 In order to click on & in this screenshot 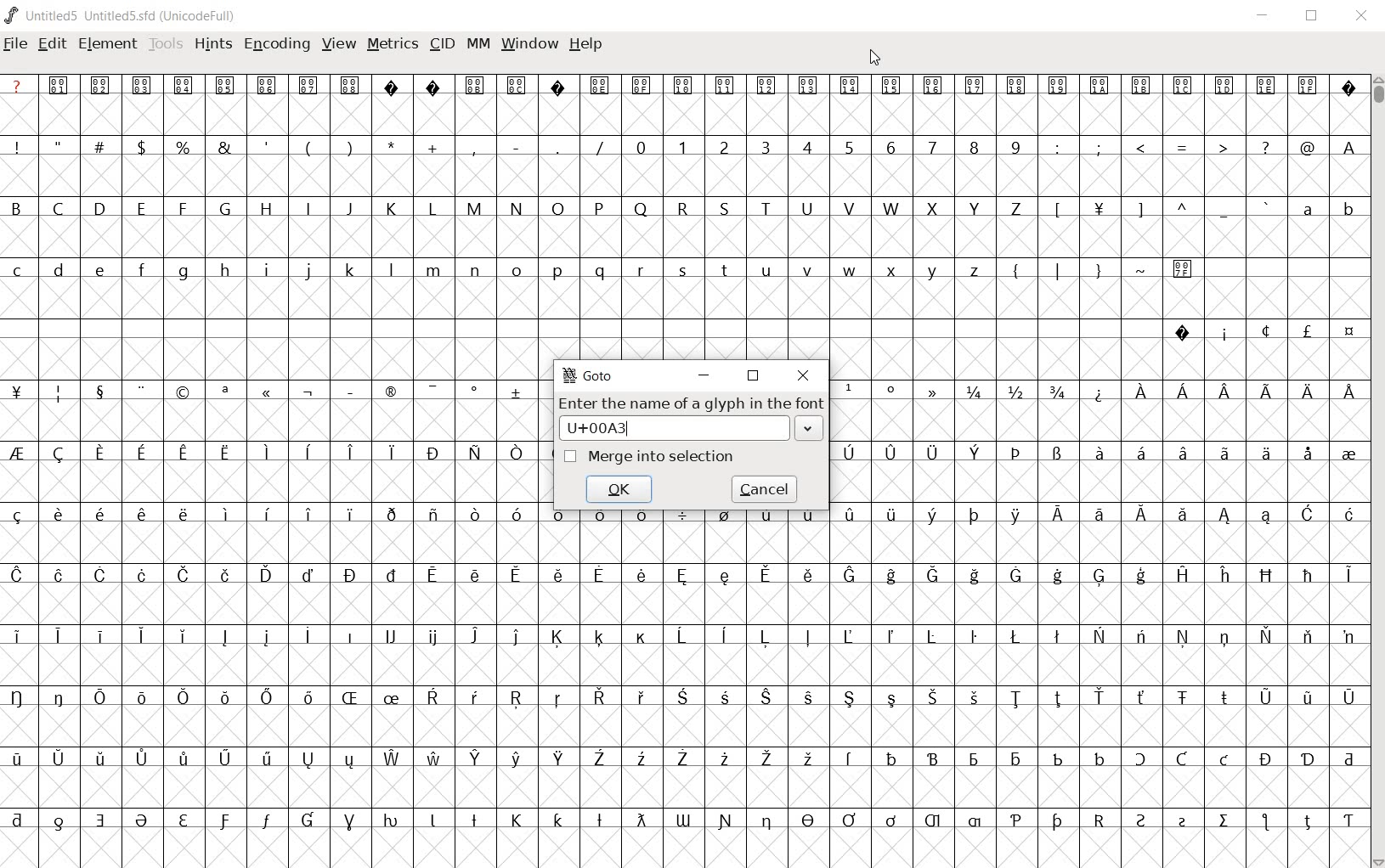, I will do `click(227, 146)`.